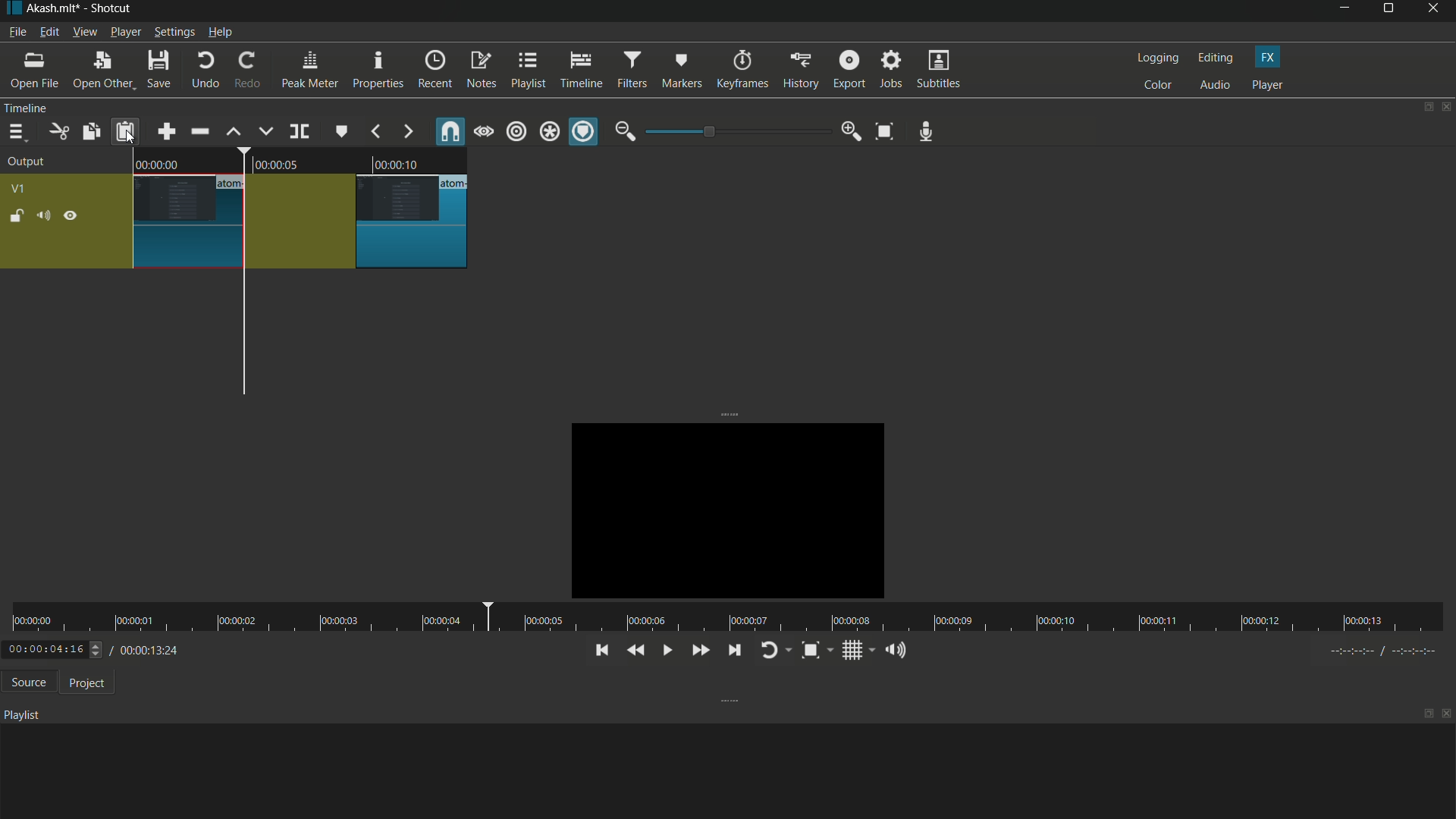 The image size is (1456, 819). Describe the element at coordinates (17, 32) in the screenshot. I see `file menu` at that location.